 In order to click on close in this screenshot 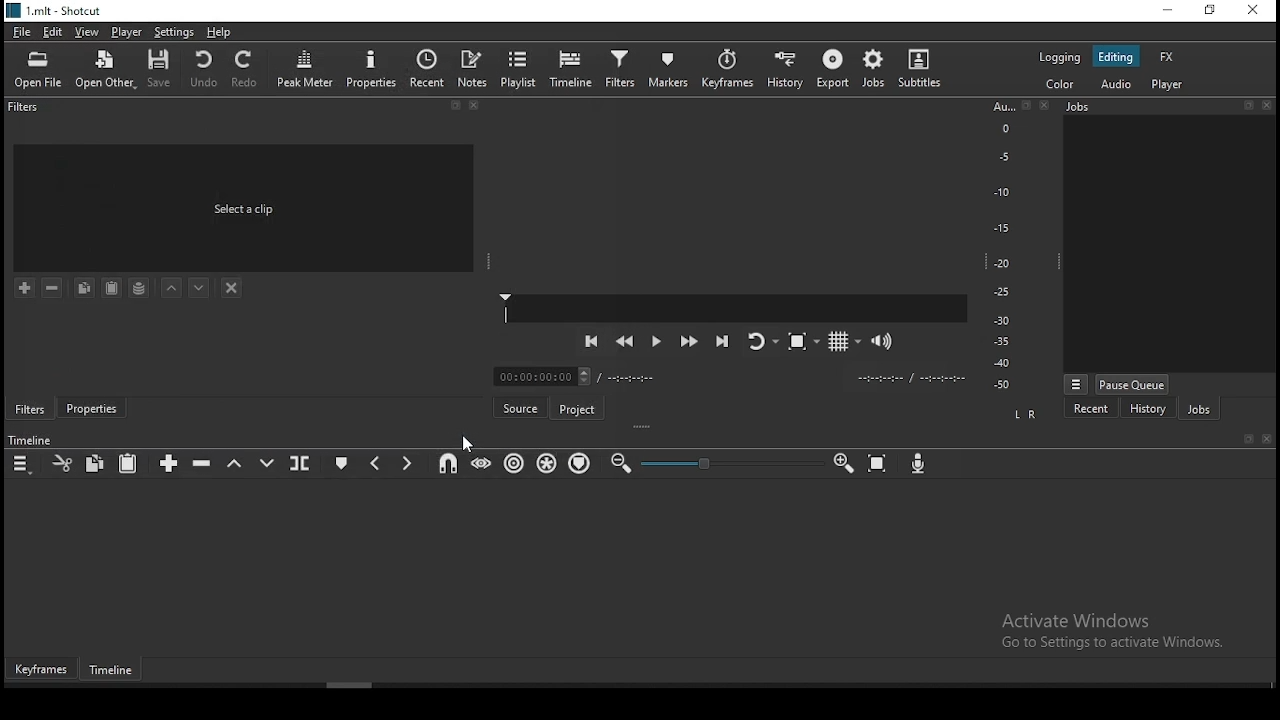, I will do `click(1268, 440)`.